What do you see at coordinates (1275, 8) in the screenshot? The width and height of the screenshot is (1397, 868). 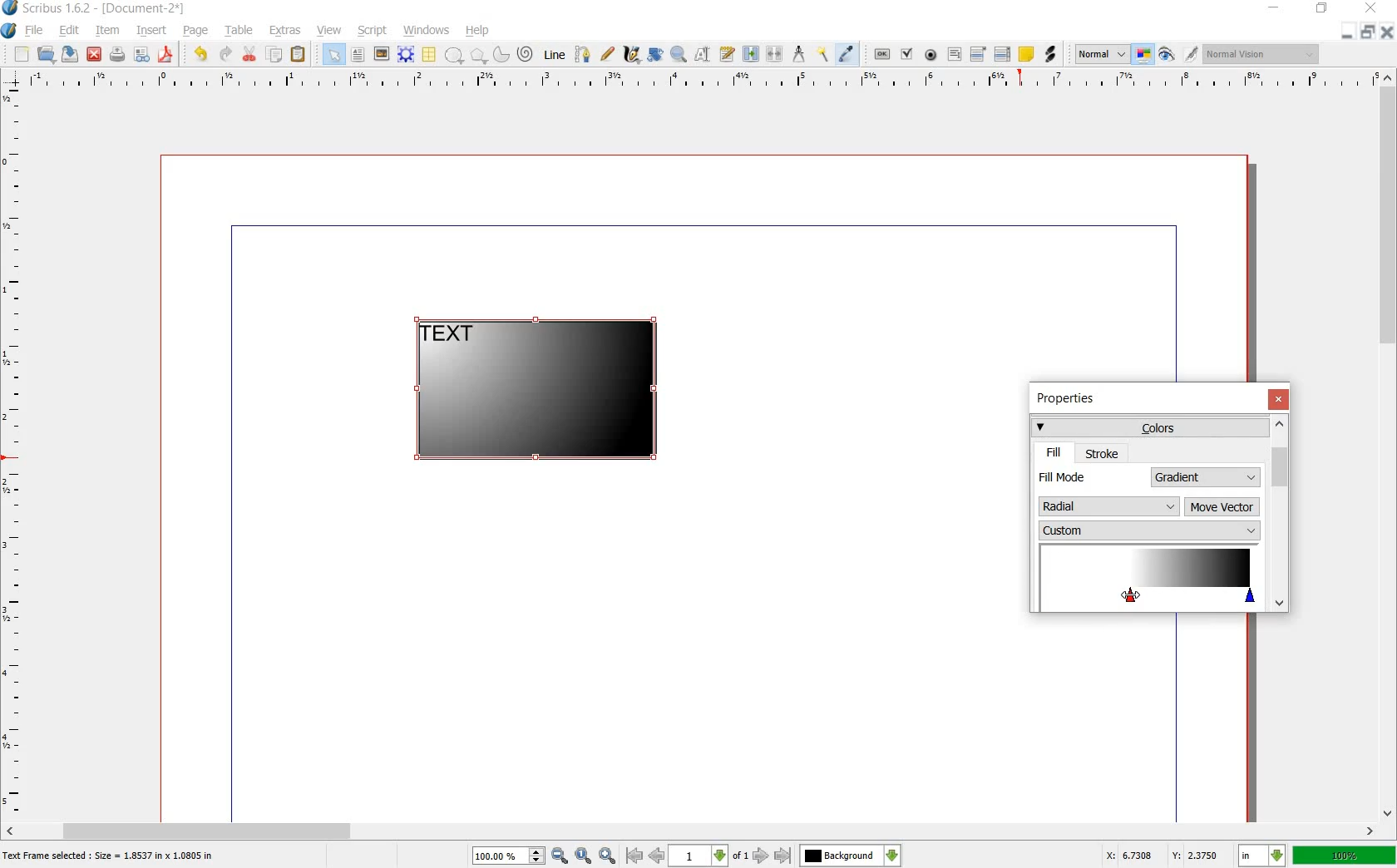 I see `minimize` at bounding box center [1275, 8].